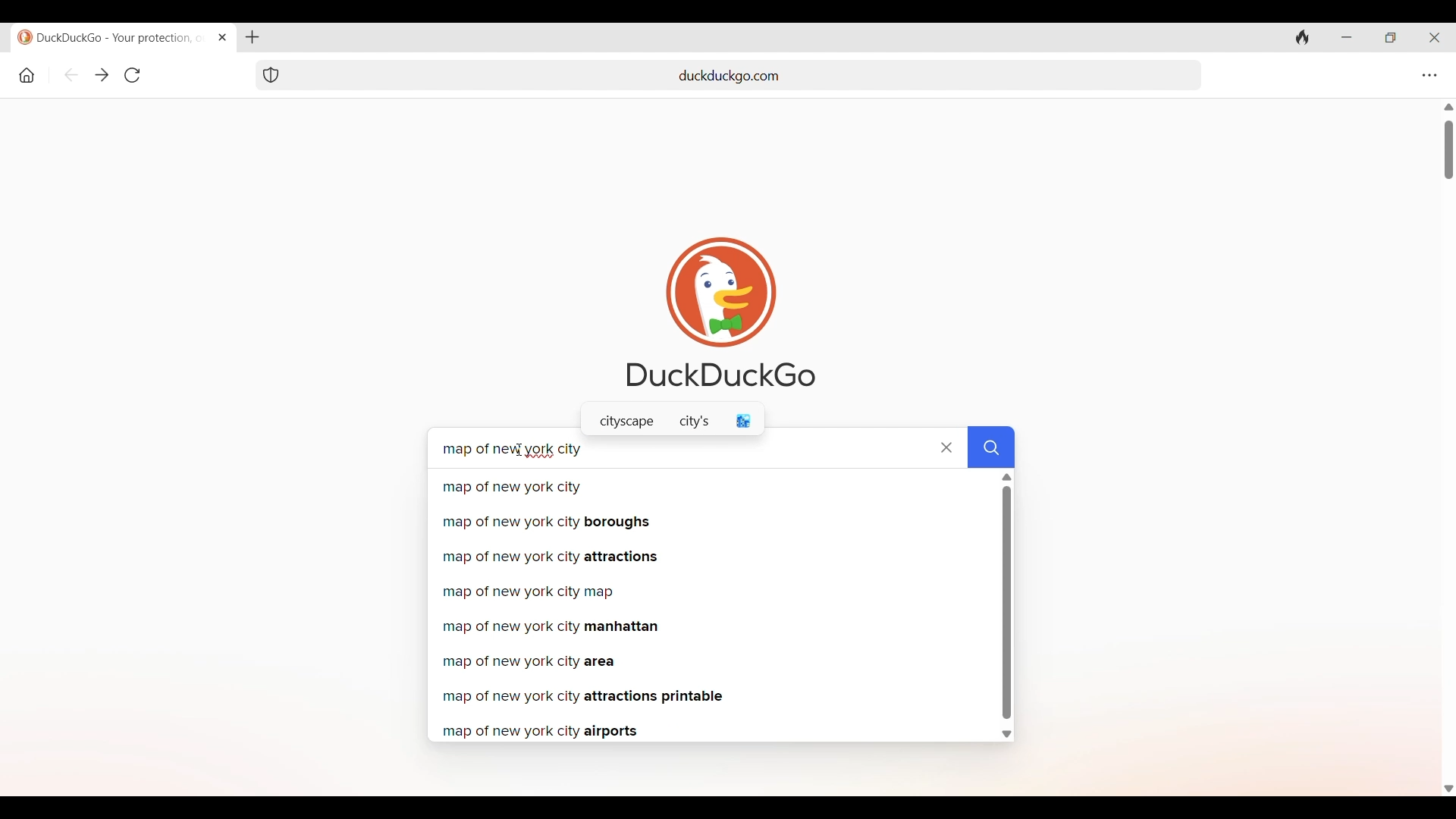  What do you see at coordinates (252, 37) in the screenshot?
I see `Add new tab` at bounding box center [252, 37].